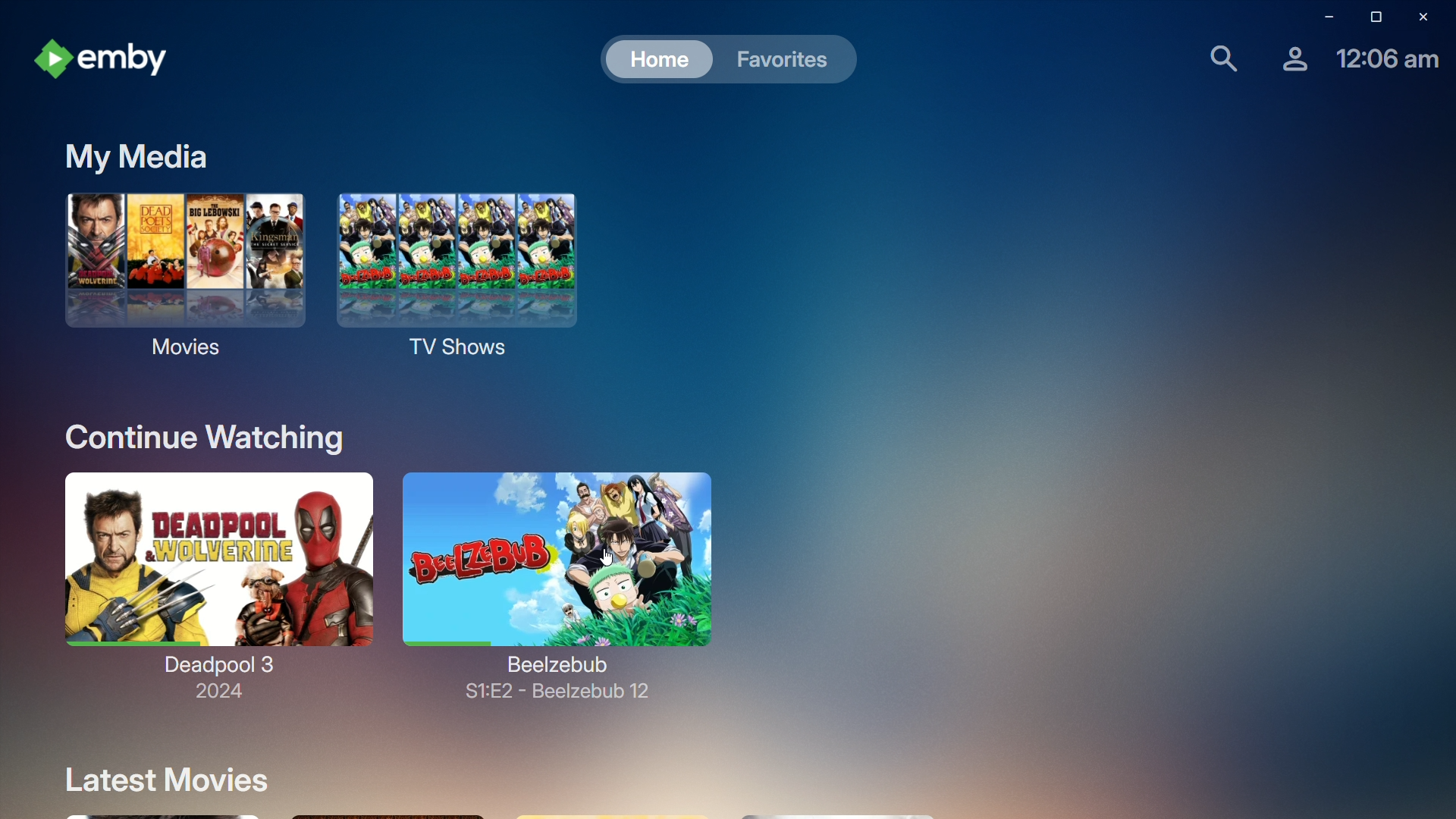 This screenshot has height=819, width=1456. What do you see at coordinates (202, 435) in the screenshot?
I see `Continue Watching` at bounding box center [202, 435].